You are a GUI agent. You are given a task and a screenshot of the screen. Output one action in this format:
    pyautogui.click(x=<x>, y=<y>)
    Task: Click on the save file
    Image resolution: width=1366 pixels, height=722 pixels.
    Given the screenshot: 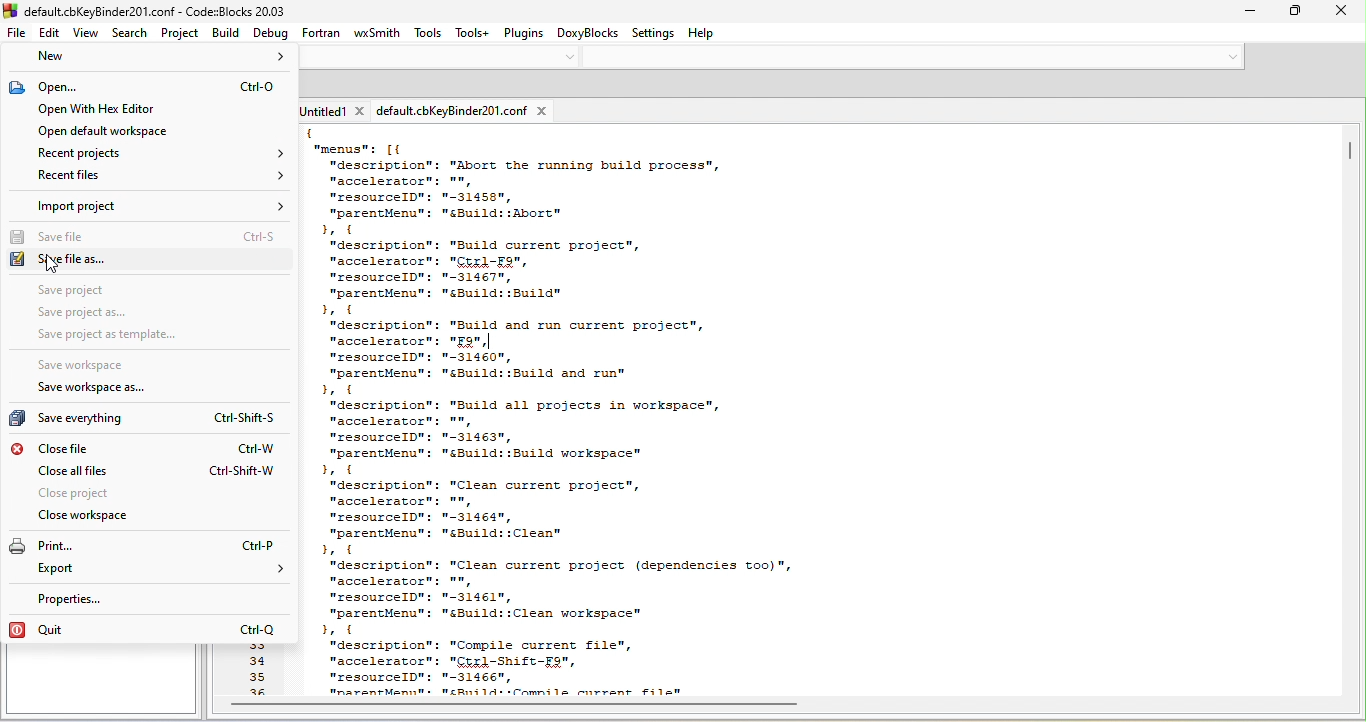 What is the action you would take?
    pyautogui.click(x=145, y=236)
    